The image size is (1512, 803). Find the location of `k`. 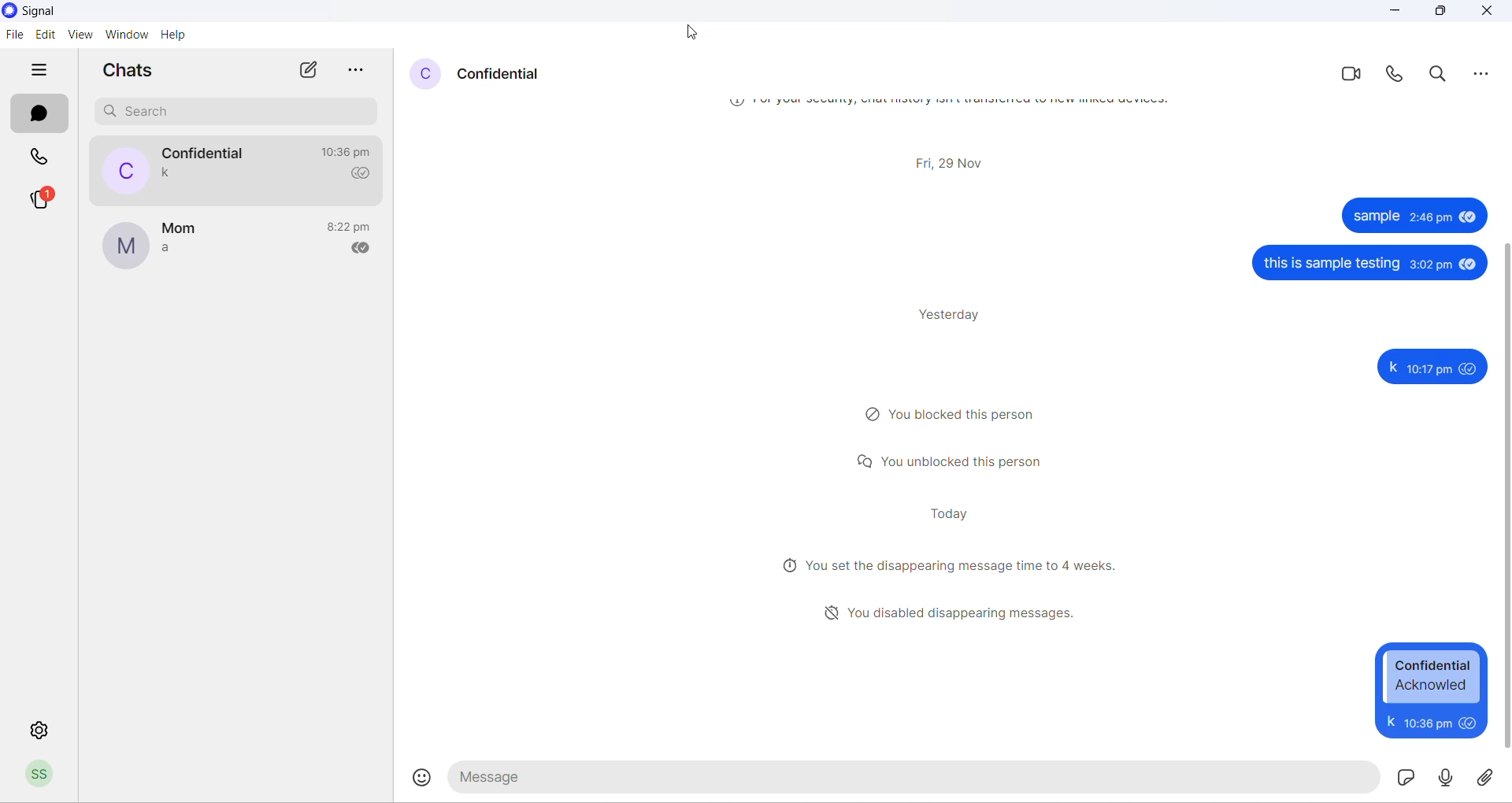

k is located at coordinates (1392, 367).